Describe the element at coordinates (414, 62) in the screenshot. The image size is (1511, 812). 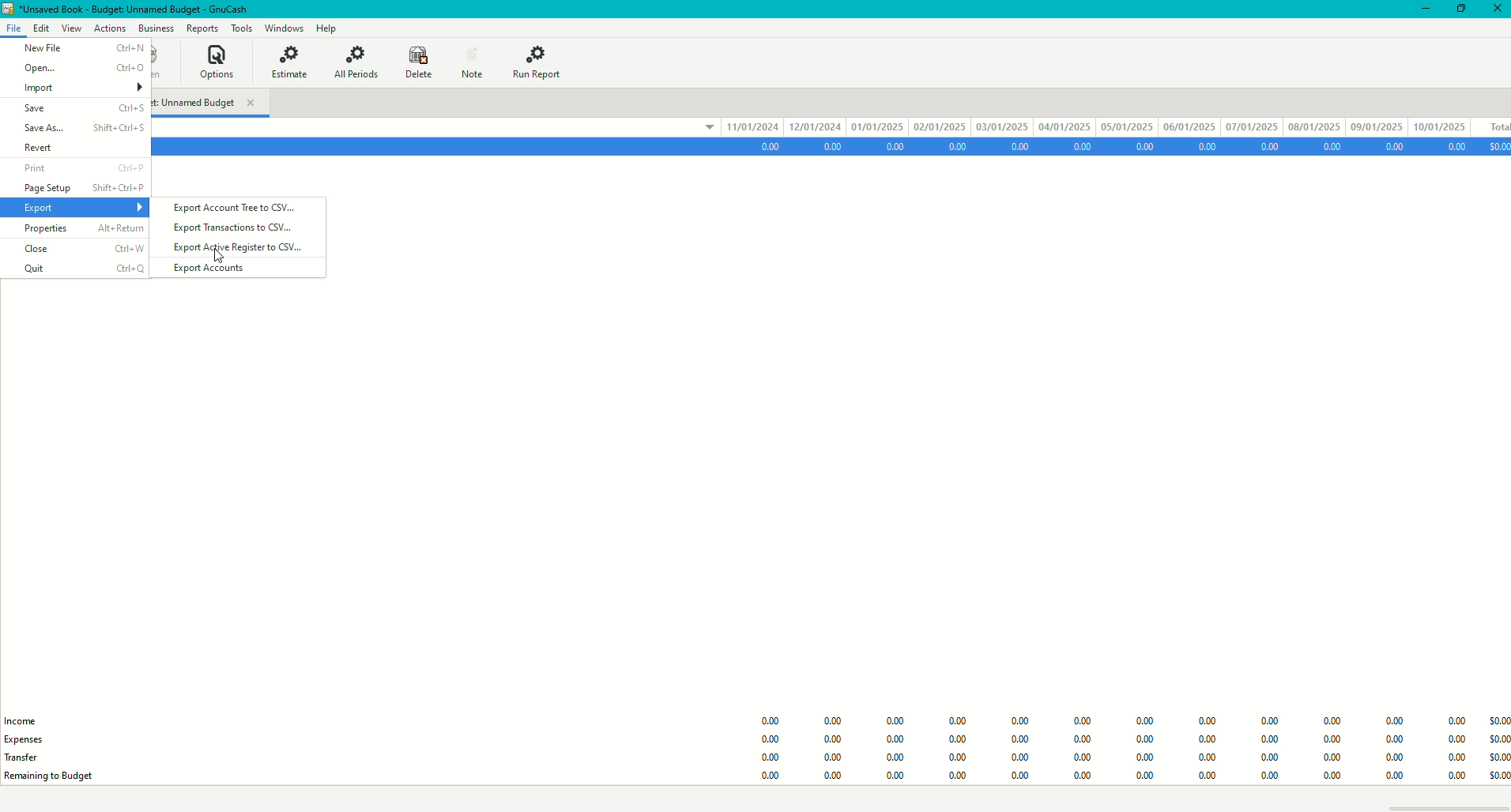
I see `Delete` at that location.